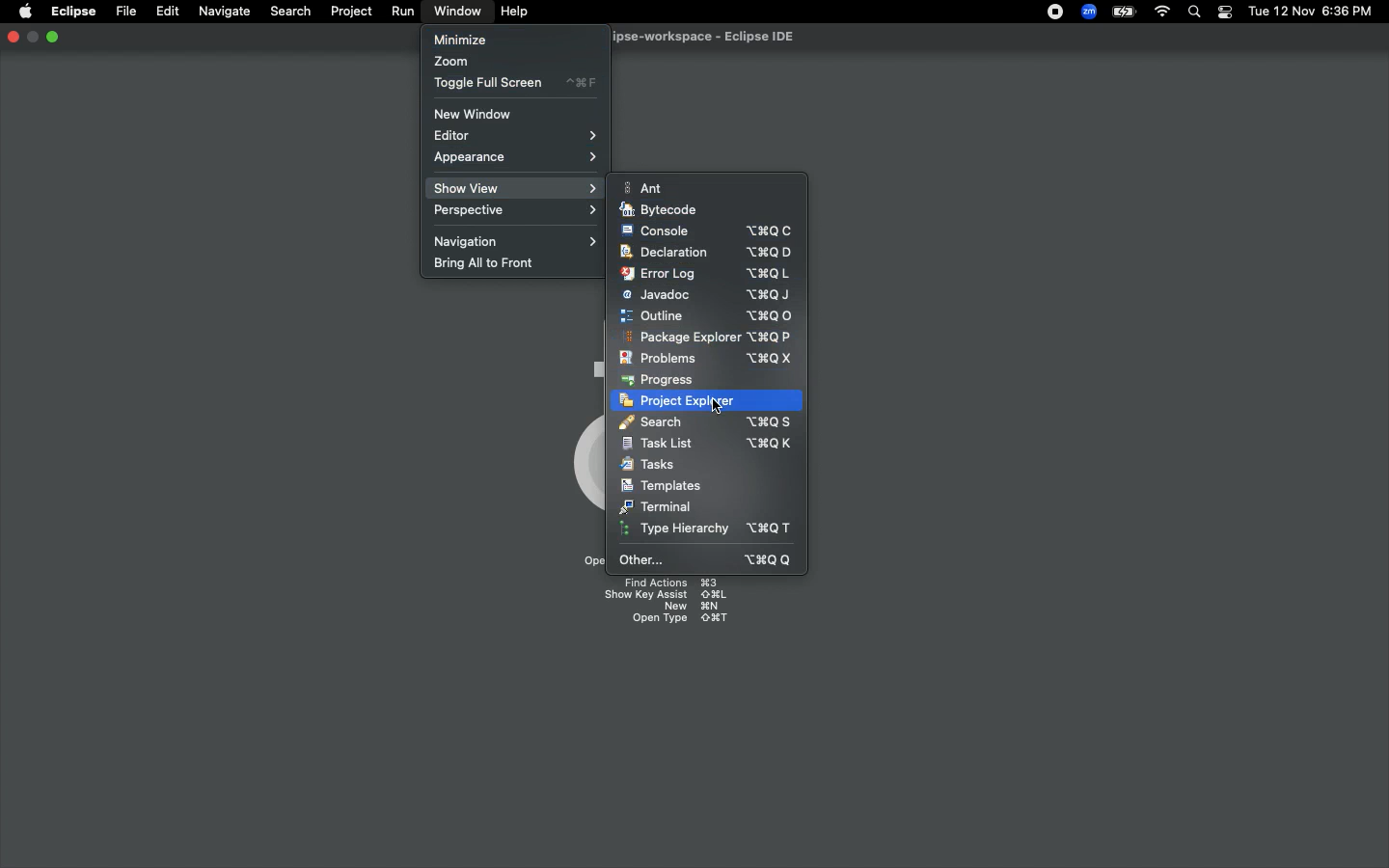 Image resolution: width=1389 pixels, height=868 pixels. What do you see at coordinates (650, 465) in the screenshot?
I see `Tasks` at bounding box center [650, 465].